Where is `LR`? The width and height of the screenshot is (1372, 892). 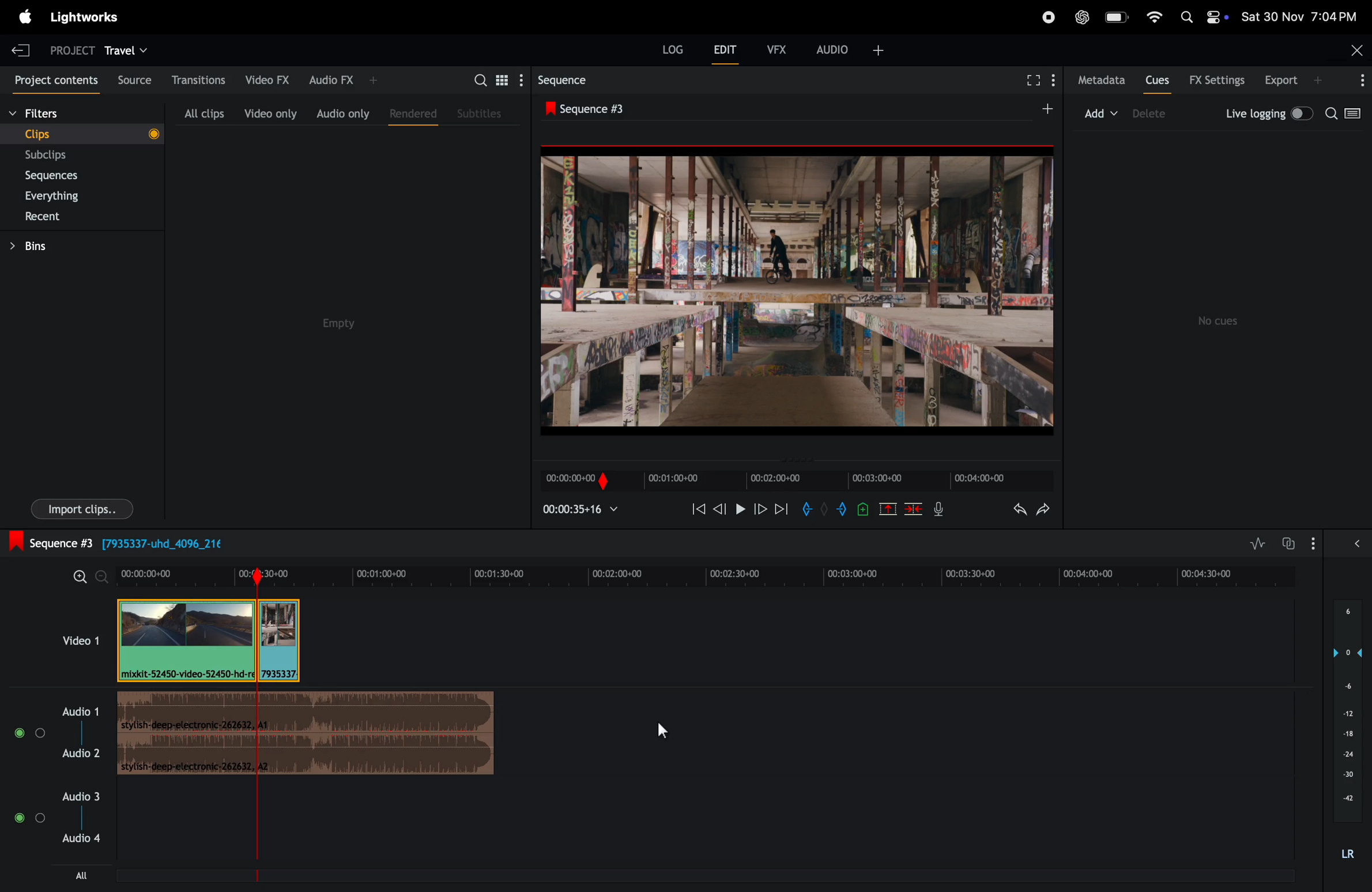
LR is located at coordinates (1347, 845).